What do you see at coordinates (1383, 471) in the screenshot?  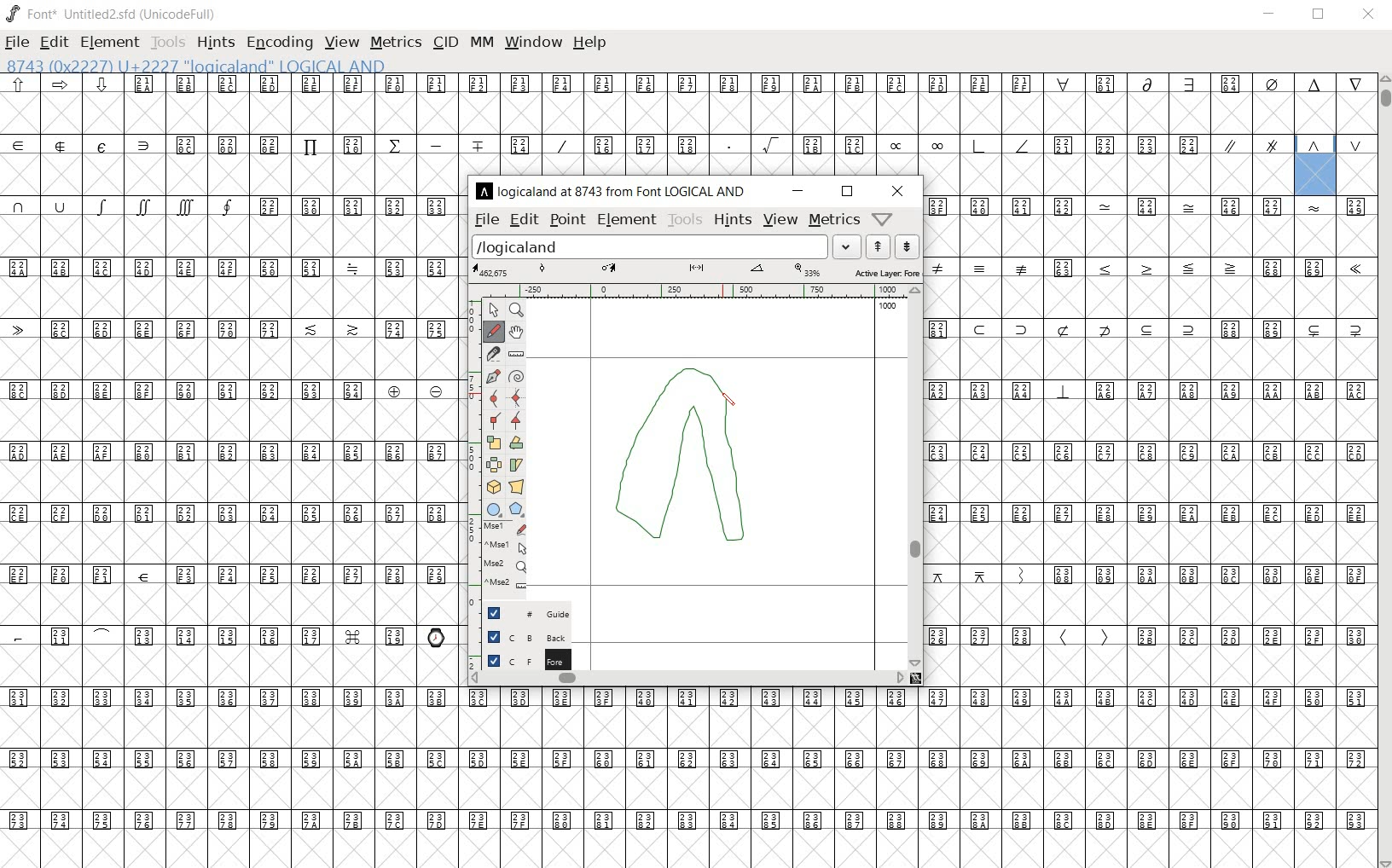 I see `scrollbar` at bounding box center [1383, 471].